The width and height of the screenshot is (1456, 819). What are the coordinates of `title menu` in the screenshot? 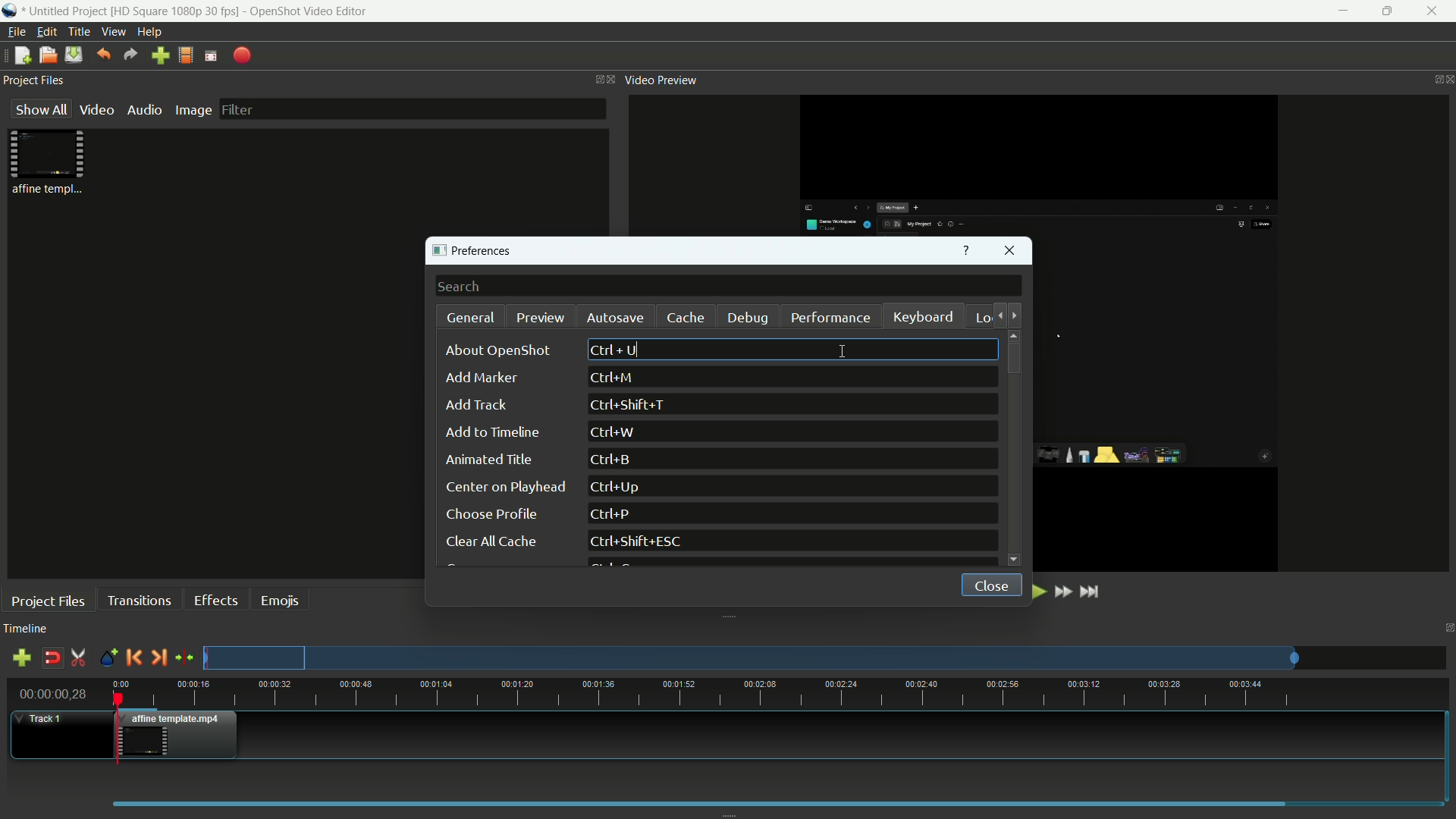 It's located at (79, 31).